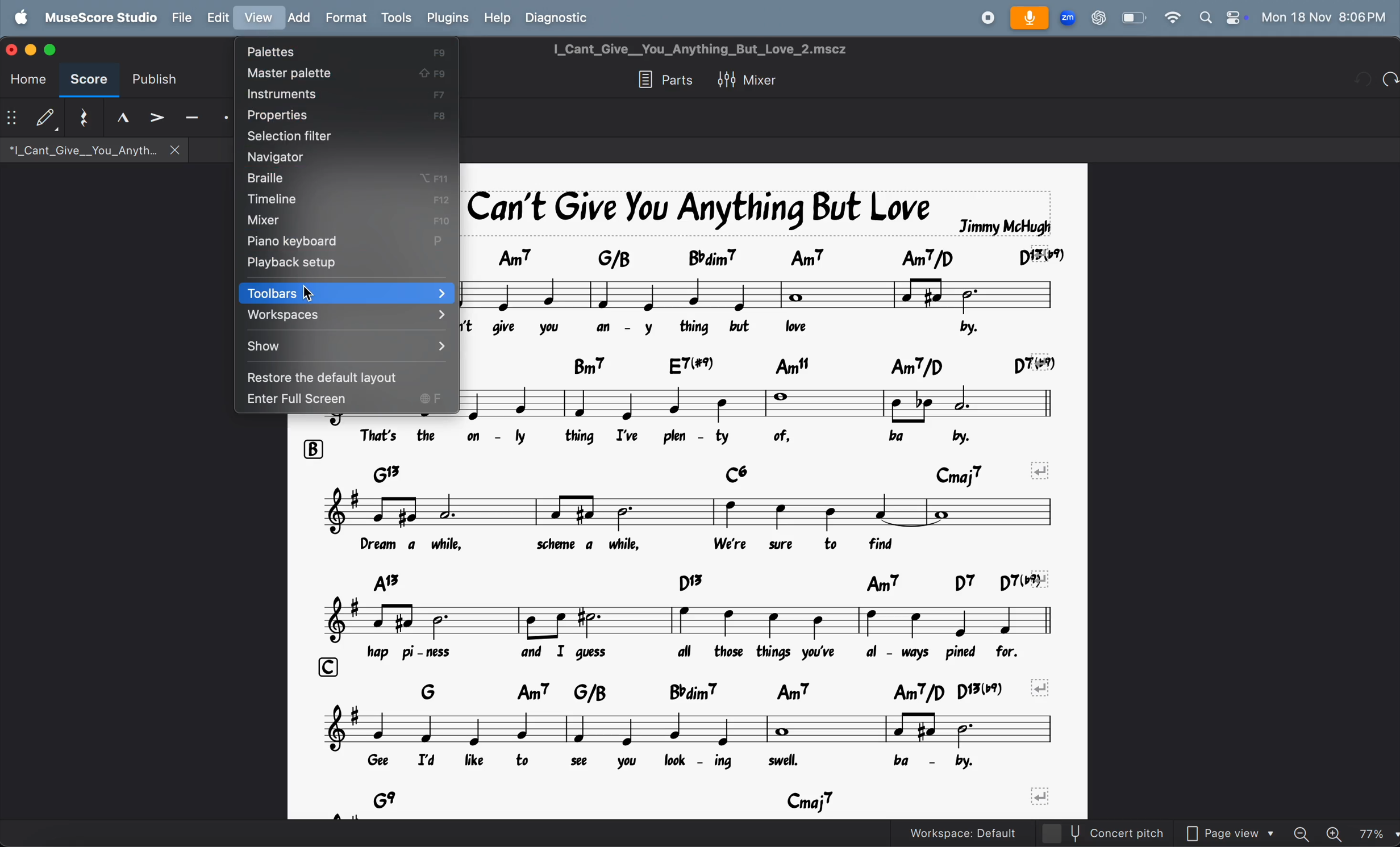  Describe the element at coordinates (561, 17) in the screenshot. I see `diagnostic` at that location.